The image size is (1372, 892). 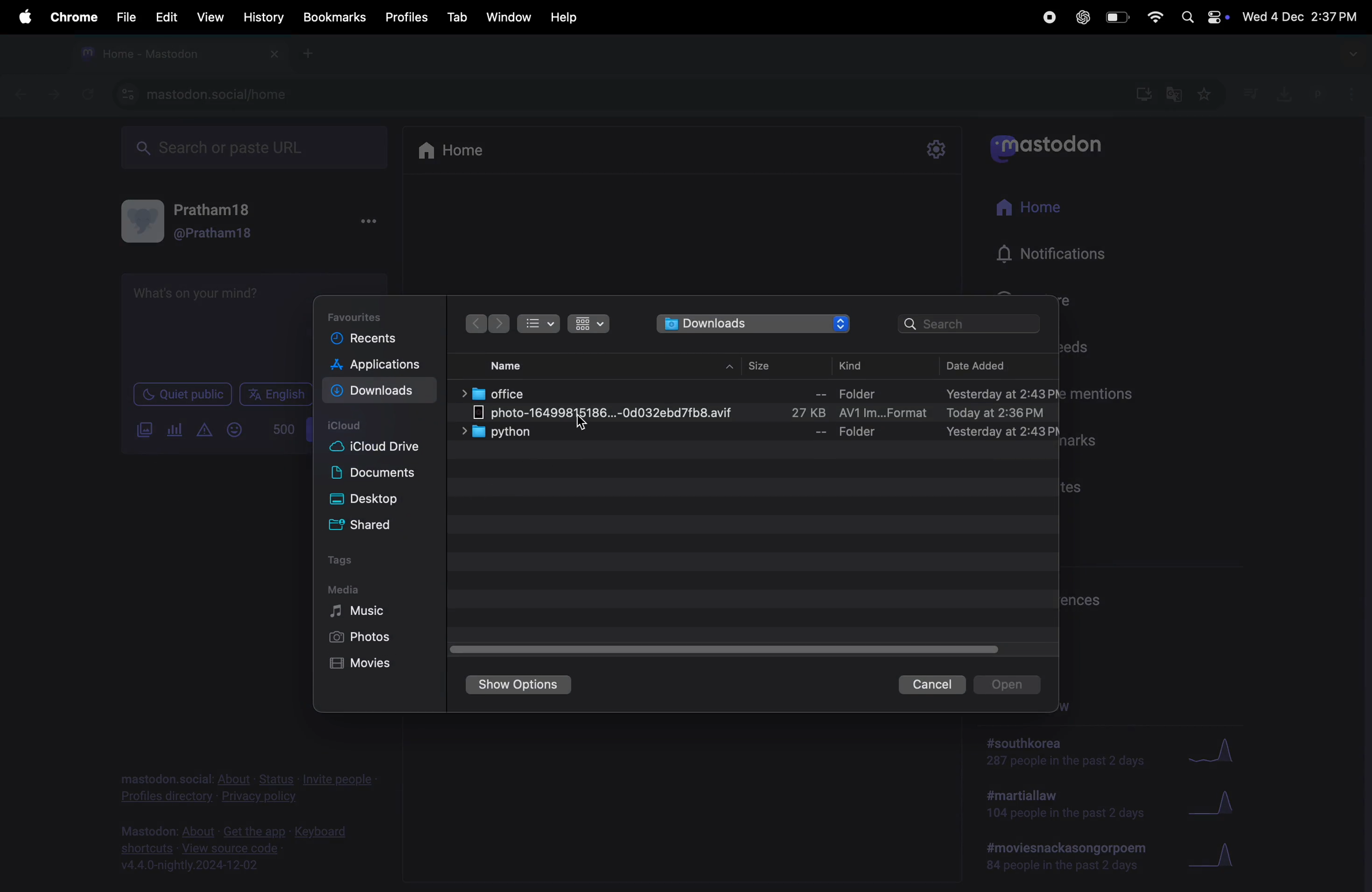 I want to click on photo, so click(x=763, y=413).